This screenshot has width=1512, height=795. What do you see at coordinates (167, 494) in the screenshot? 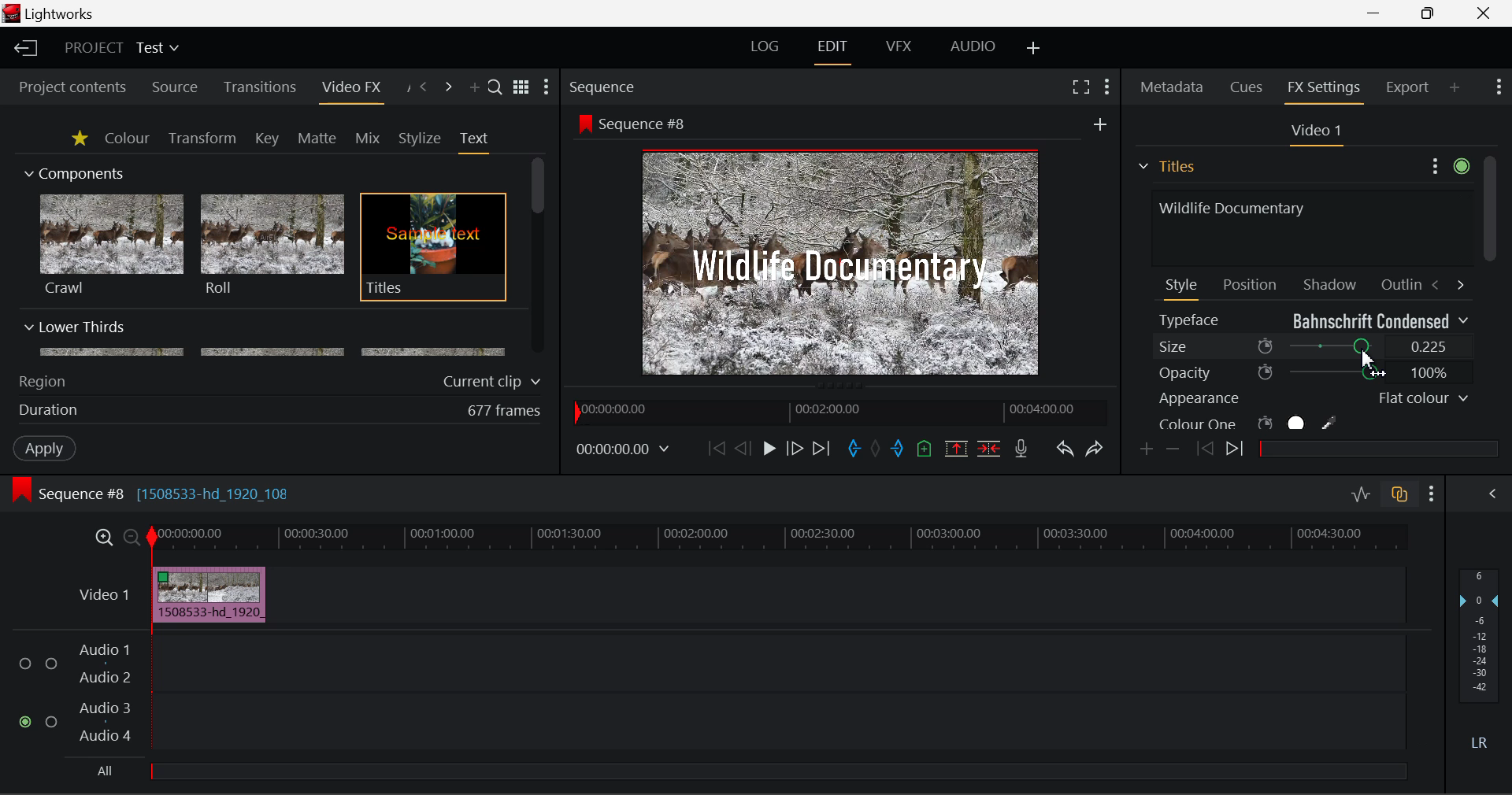
I see `Sequence #8 [1508533-hd_1920_108` at bounding box center [167, 494].